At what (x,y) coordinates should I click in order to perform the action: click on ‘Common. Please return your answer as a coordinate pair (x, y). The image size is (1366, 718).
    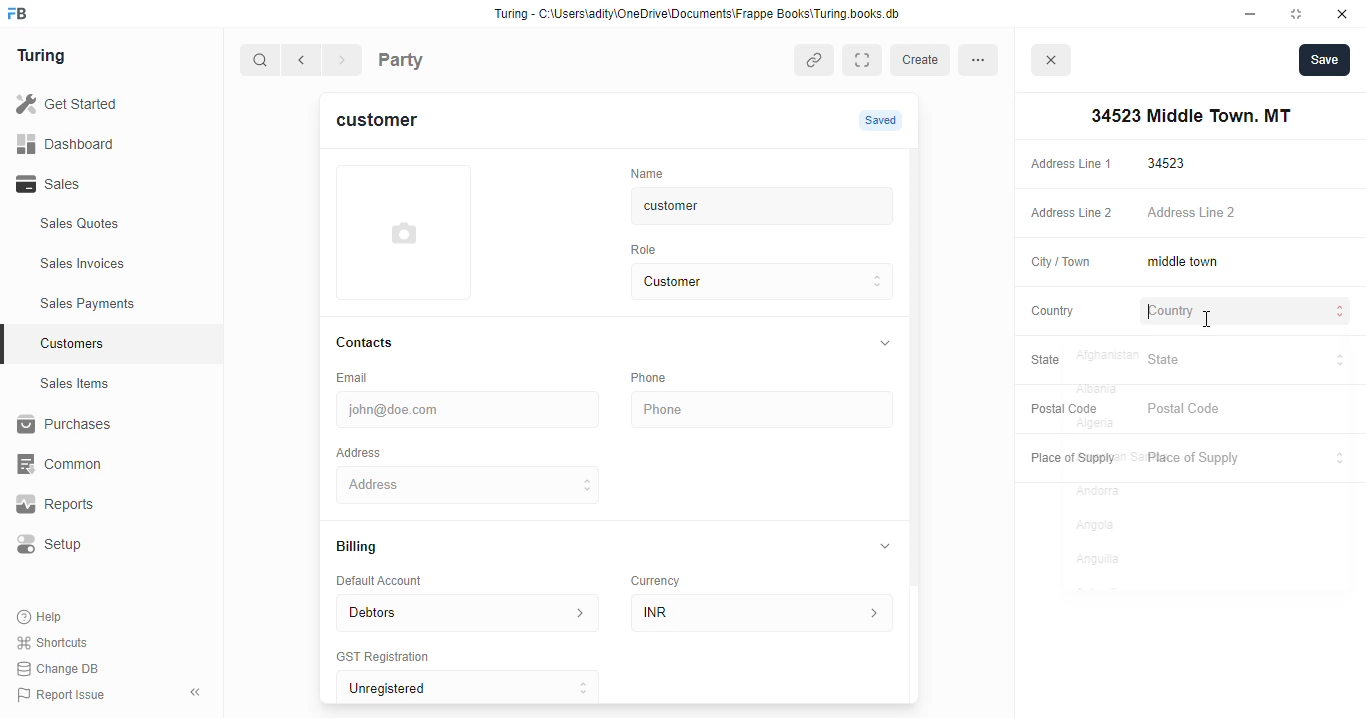
    Looking at the image, I should click on (100, 464).